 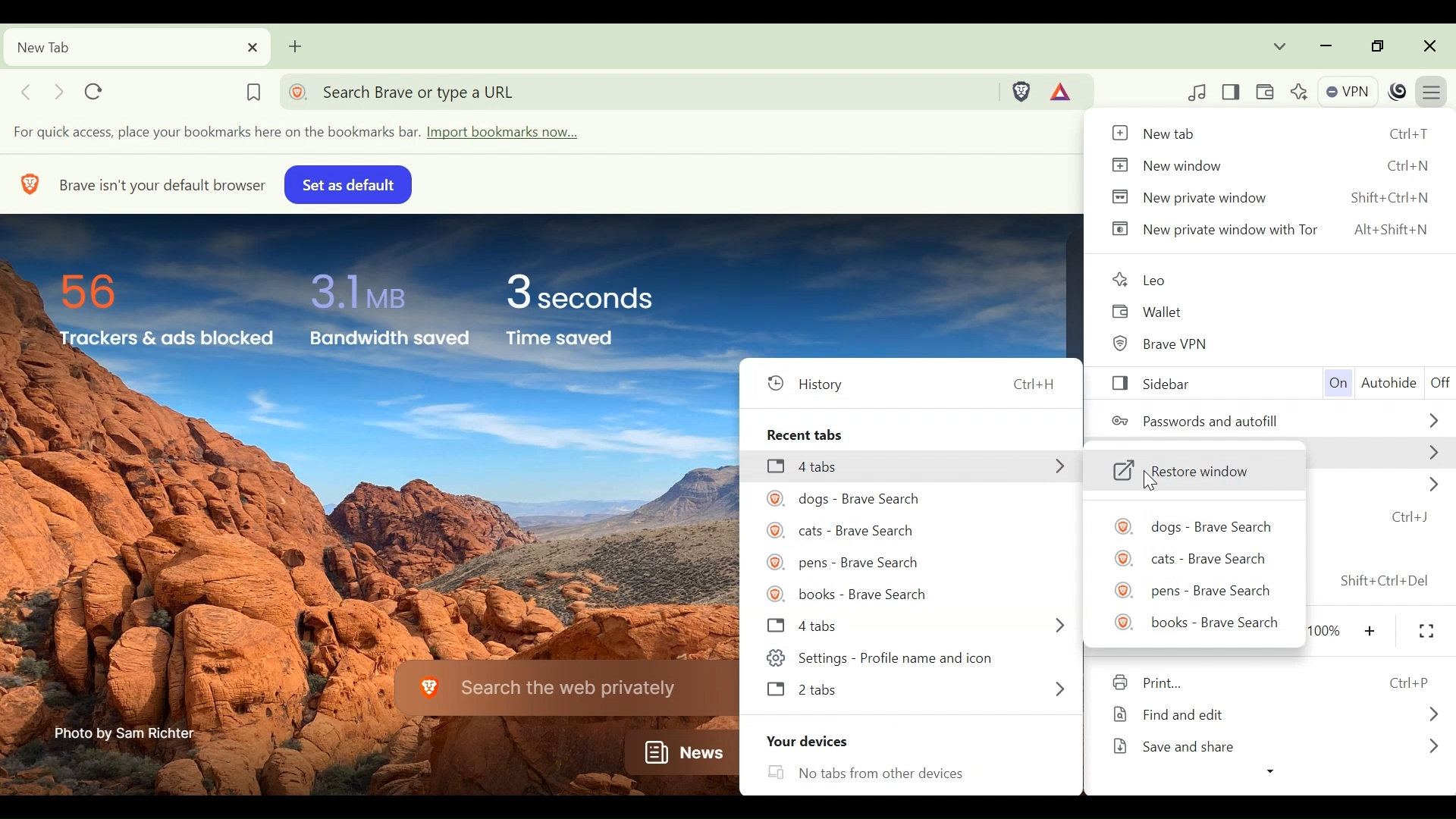 What do you see at coordinates (1400, 168) in the screenshot?
I see `Ctrl+N` at bounding box center [1400, 168].